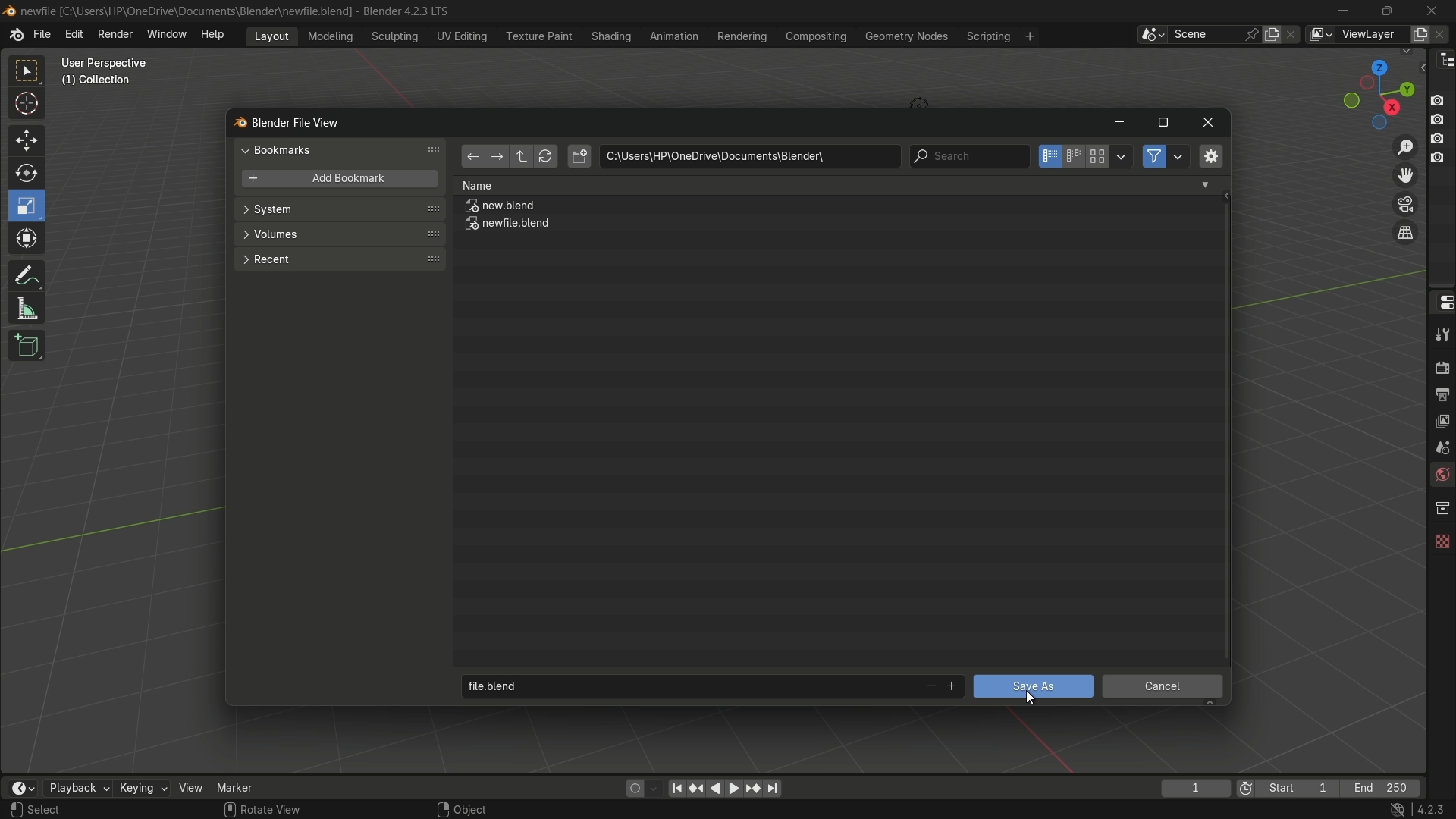  Describe the element at coordinates (1404, 174) in the screenshot. I see `move view layer` at that location.